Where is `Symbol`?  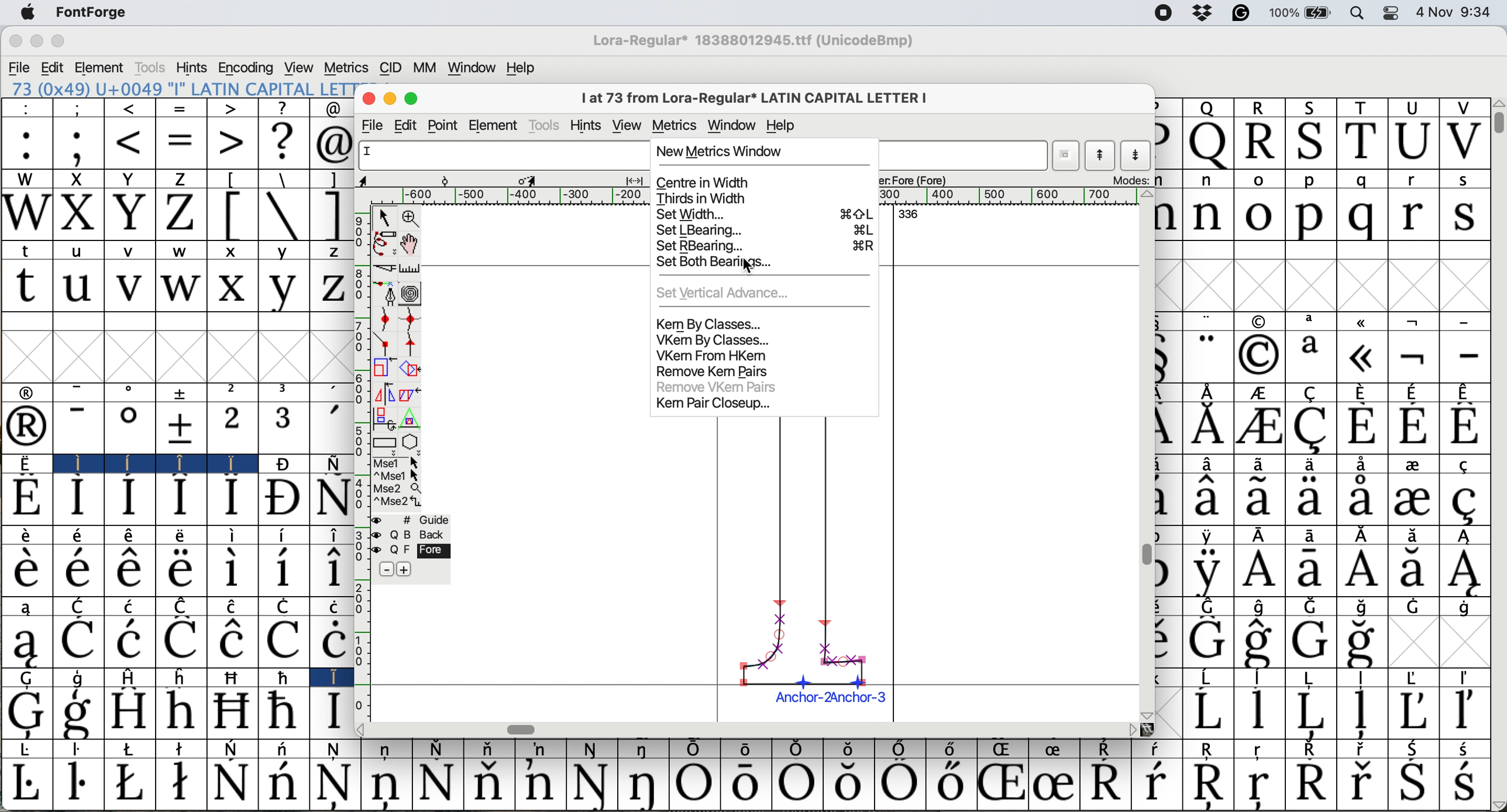 Symbol is located at coordinates (78, 498).